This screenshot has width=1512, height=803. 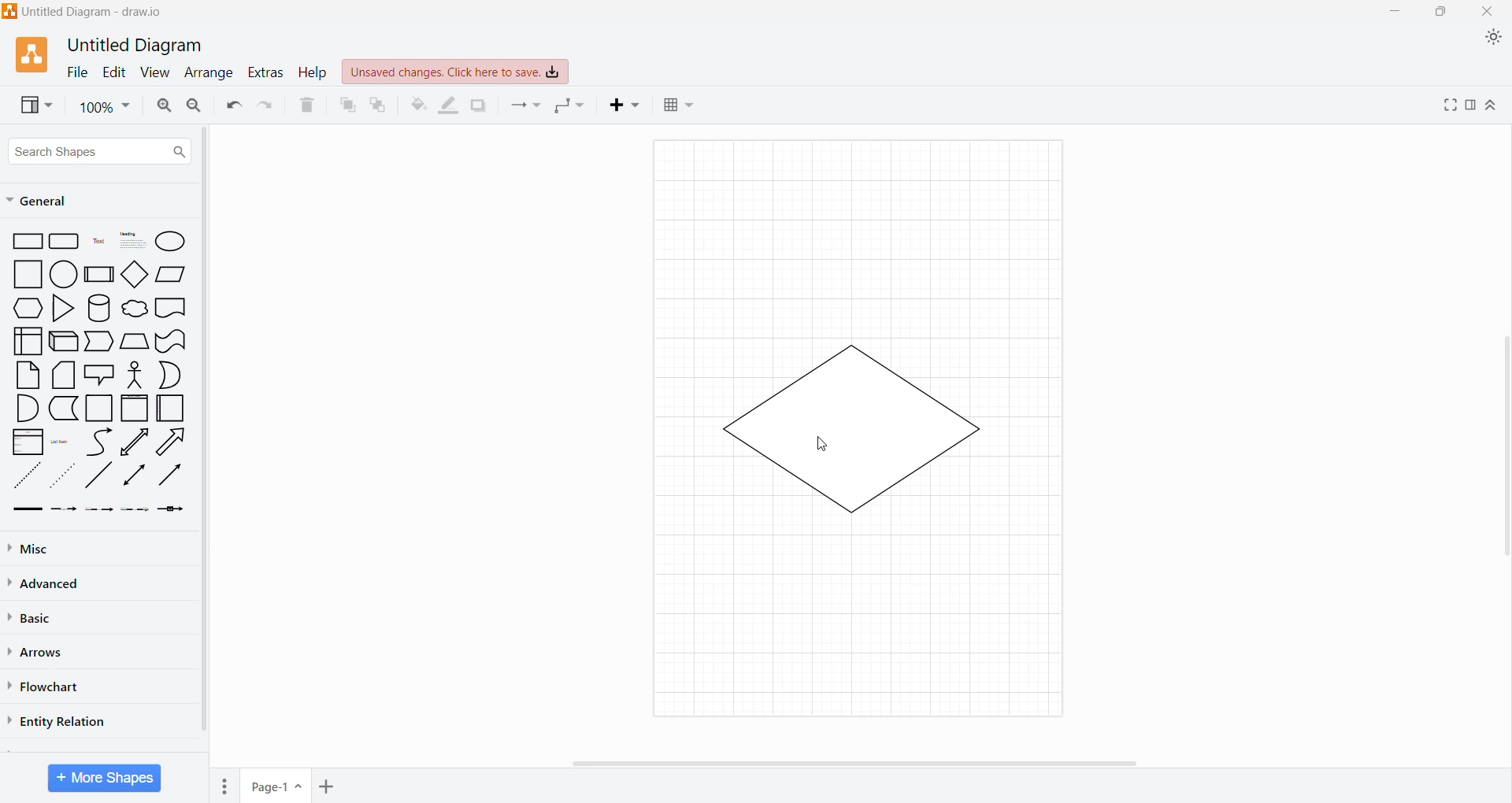 What do you see at coordinates (313, 73) in the screenshot?
I see `Help` at bounding box center [313, 73].